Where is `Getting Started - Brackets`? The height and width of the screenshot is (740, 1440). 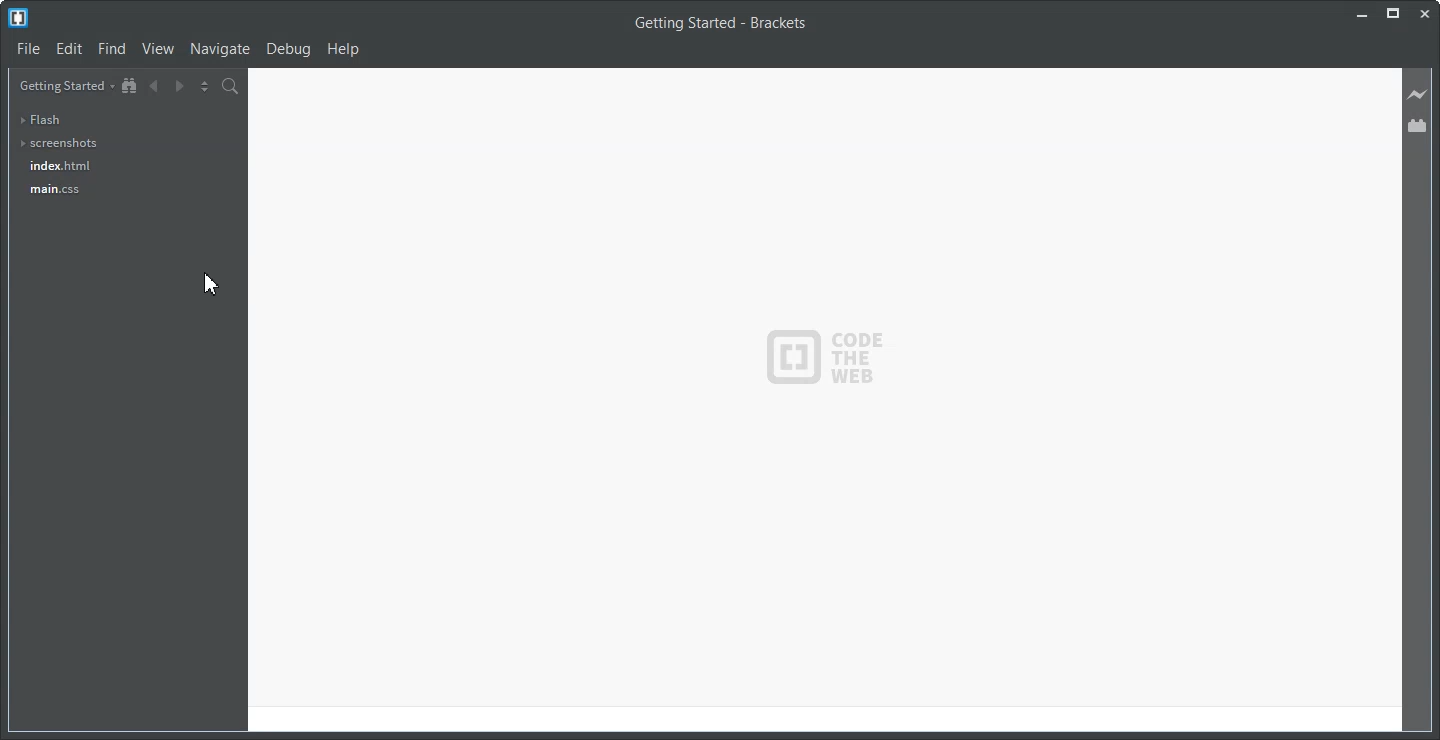
Getting Started - Brackets is located at coordinates (720, 24).